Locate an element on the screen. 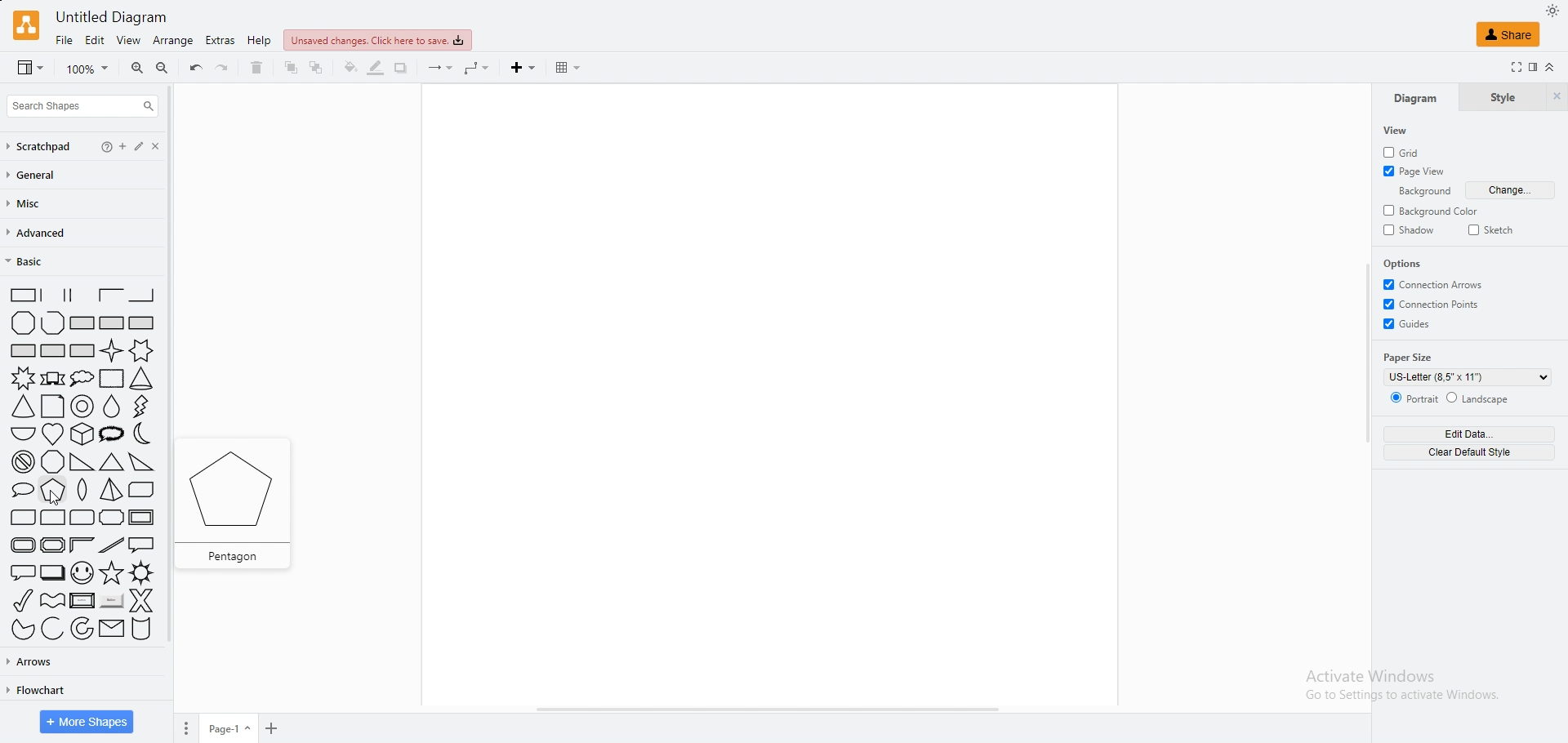 This screenshot has width=1568, height=743. shadow is located at coordinates (1410, 231).